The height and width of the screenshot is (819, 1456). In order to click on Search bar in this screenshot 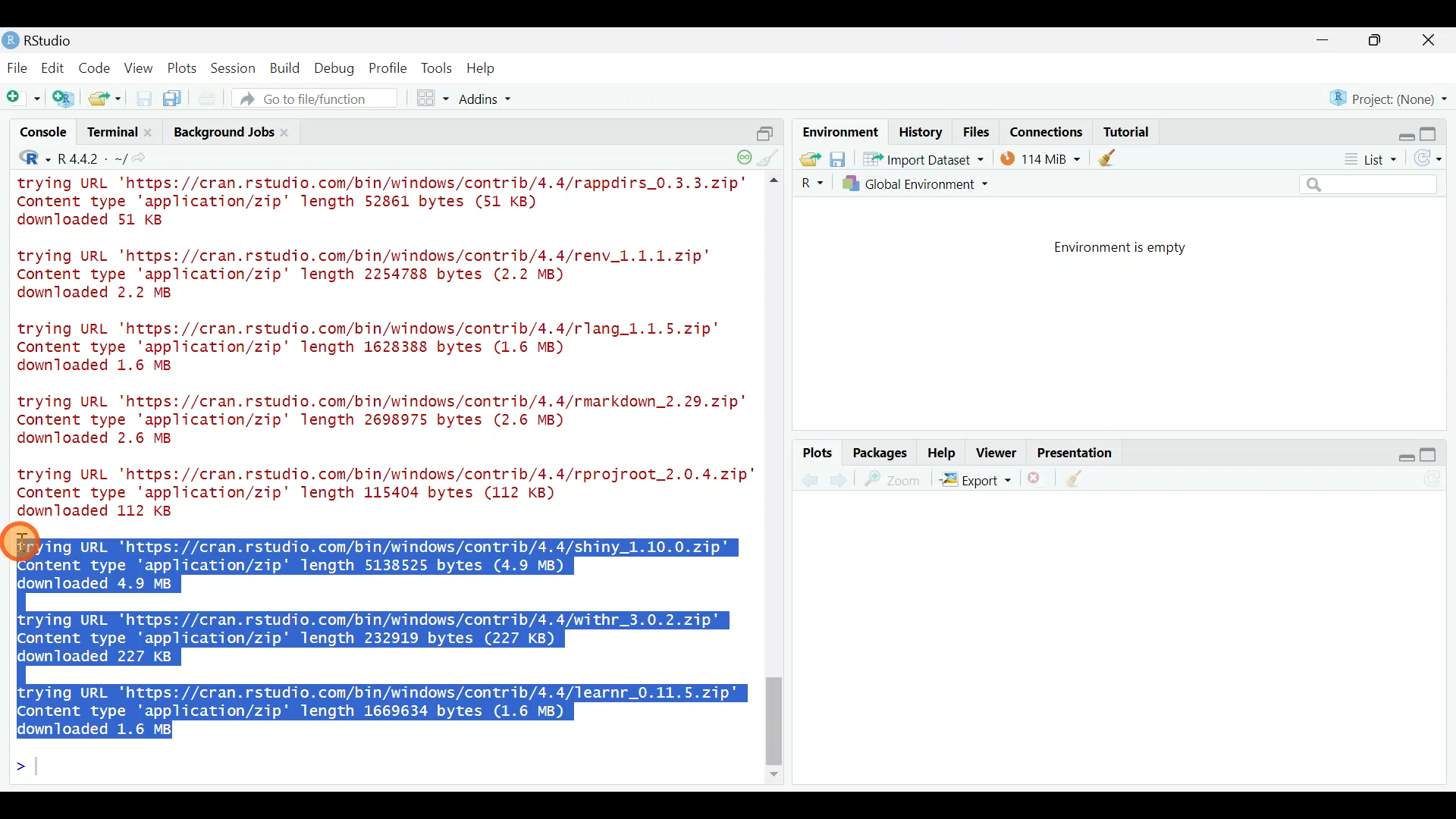, I will do `click(1371, 185)`.